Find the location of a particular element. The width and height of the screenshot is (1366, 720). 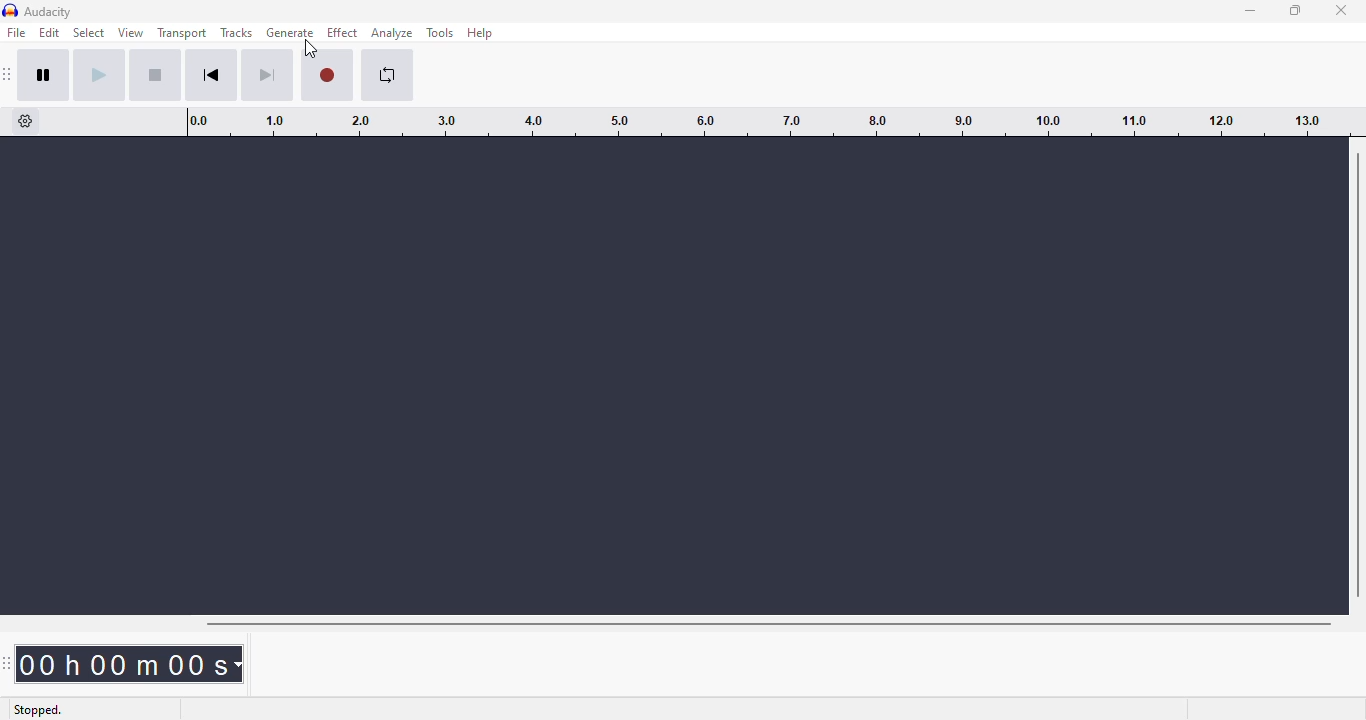

play is located at coordinates (98, 76).